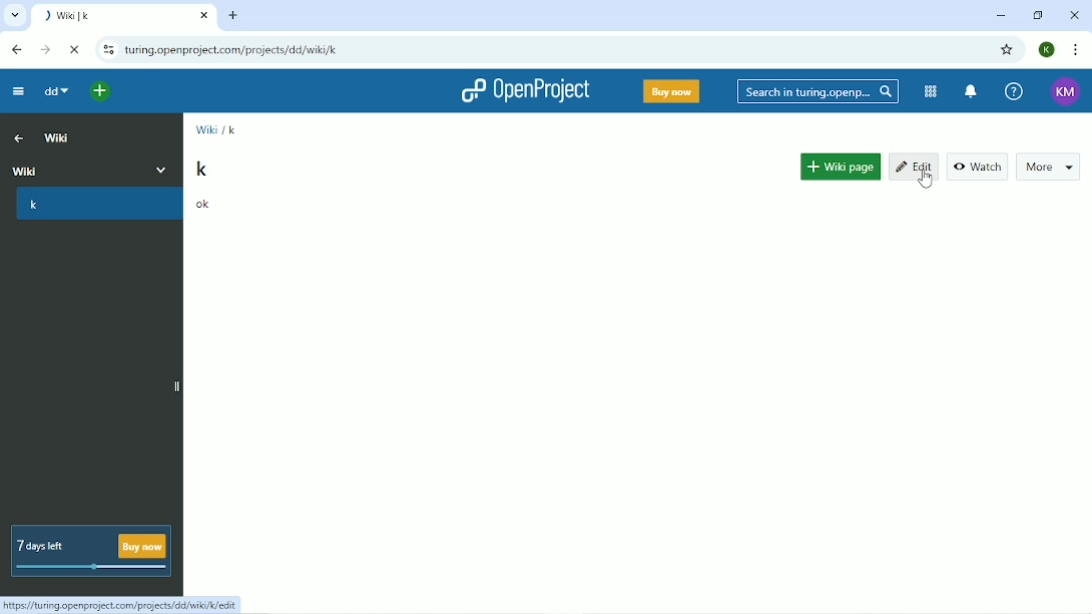  Describe the element at coordinates (59, 139) in the screenshot. I see `Wiki` at that location.